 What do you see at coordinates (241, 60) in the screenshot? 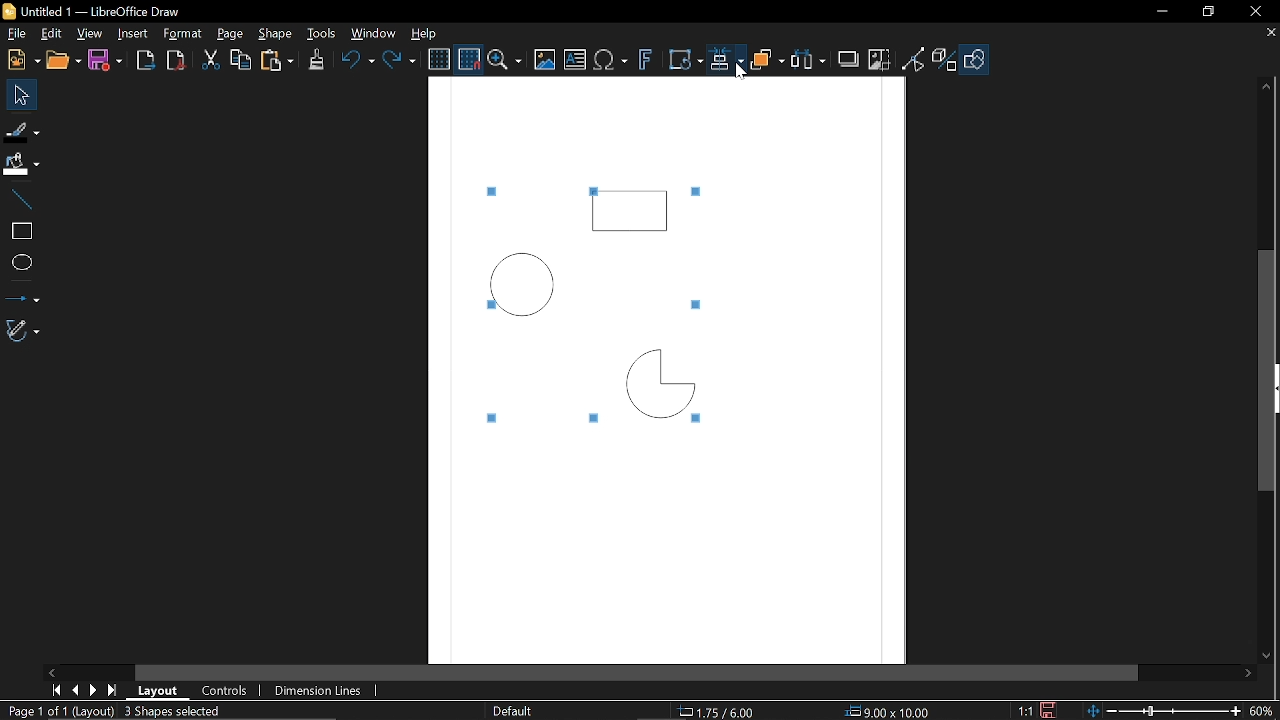
I see `Copy` at bounding box center [241, 60].